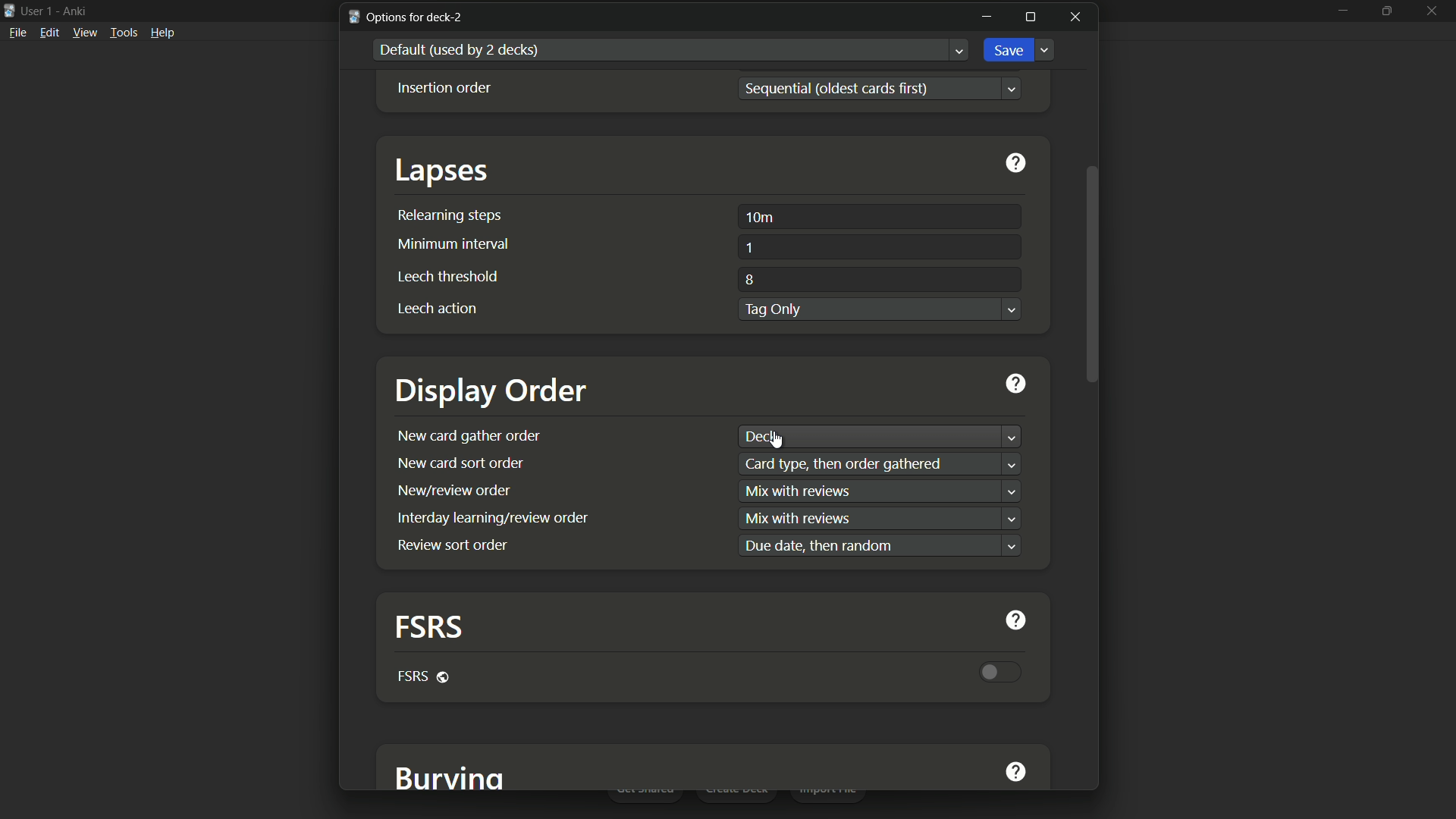 Image resolution: width=1456 pixels, height=819 pixels. What do you see at coordinates (85, 33) in the screenshot?
I see `view menu` at bounding box center [85, 33].